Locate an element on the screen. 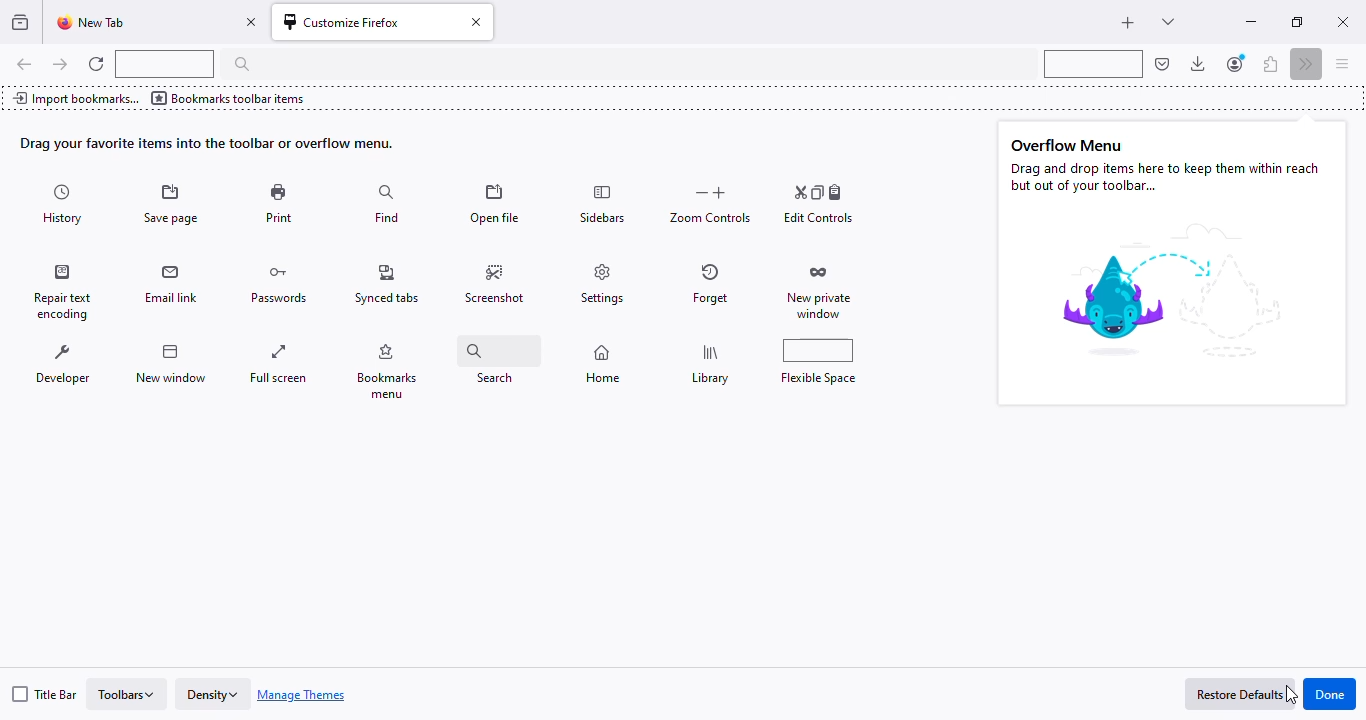 The image size is (1366, 720). list all tabs is located at coordinates (1170, 22).